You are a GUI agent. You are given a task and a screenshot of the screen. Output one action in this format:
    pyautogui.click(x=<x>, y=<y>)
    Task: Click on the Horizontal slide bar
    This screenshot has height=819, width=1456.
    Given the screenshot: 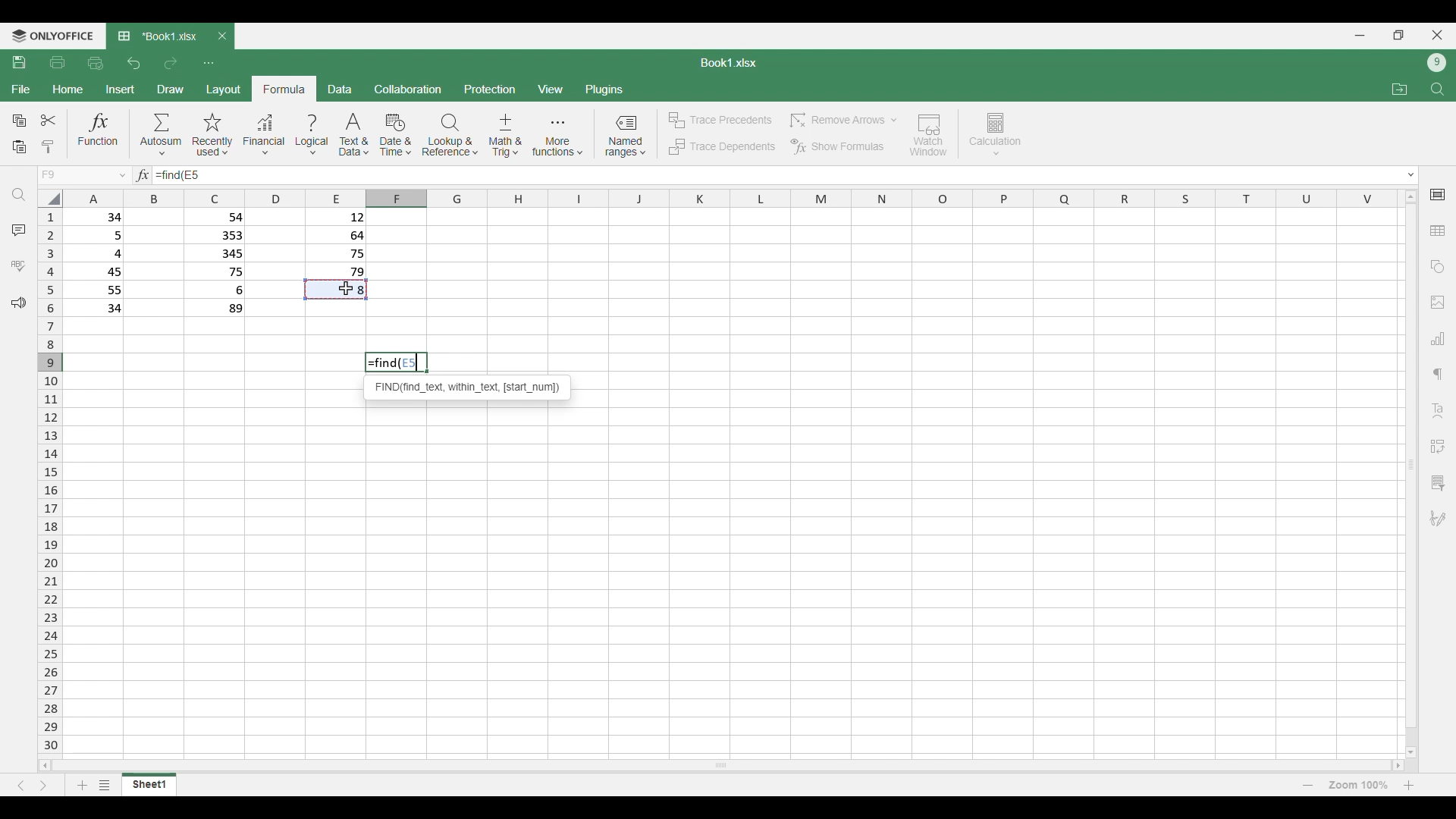 What is the action you would take?
    pyautogui.click(x=721, y=764)
    